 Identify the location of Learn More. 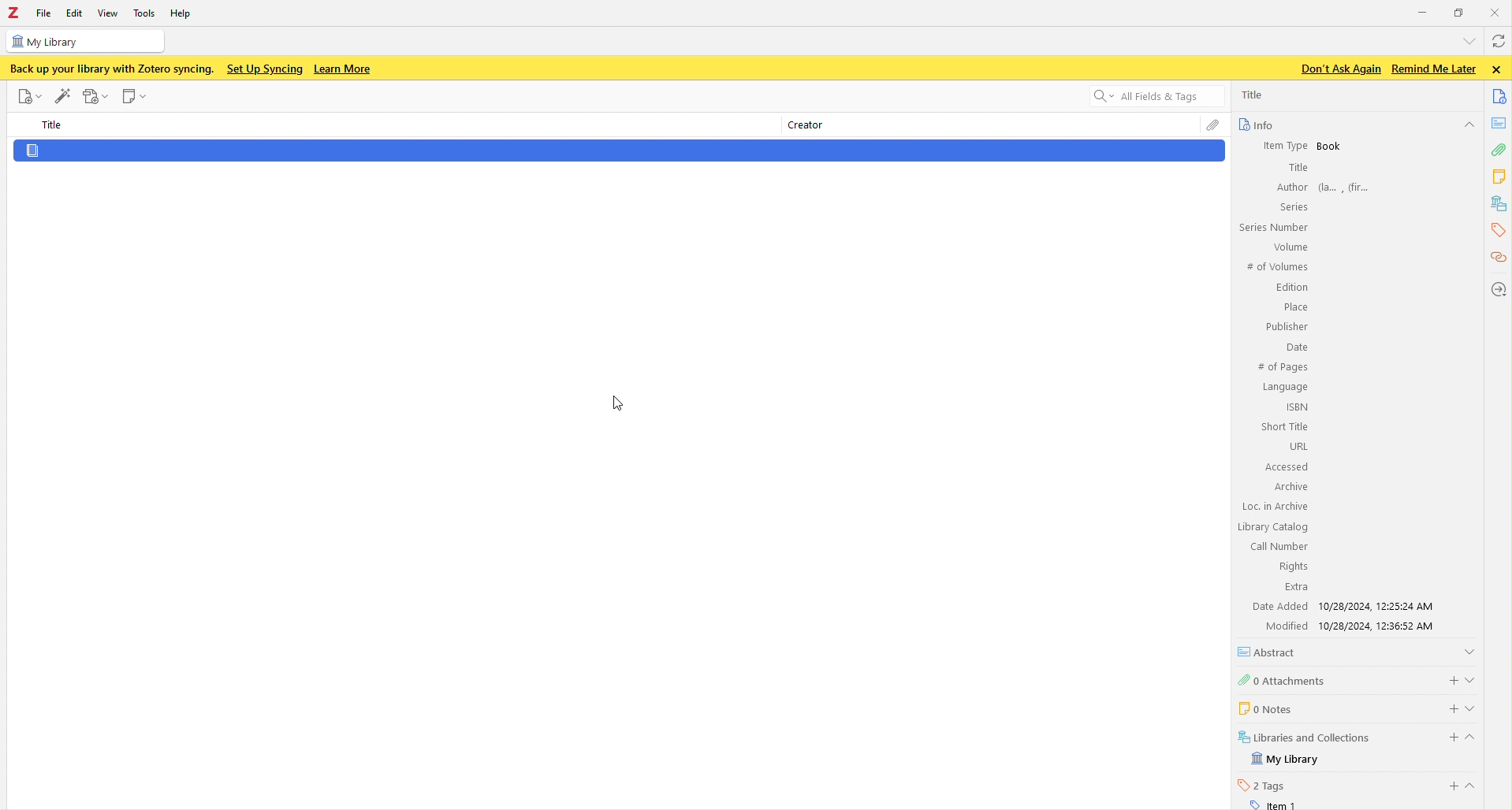
(344, 69).